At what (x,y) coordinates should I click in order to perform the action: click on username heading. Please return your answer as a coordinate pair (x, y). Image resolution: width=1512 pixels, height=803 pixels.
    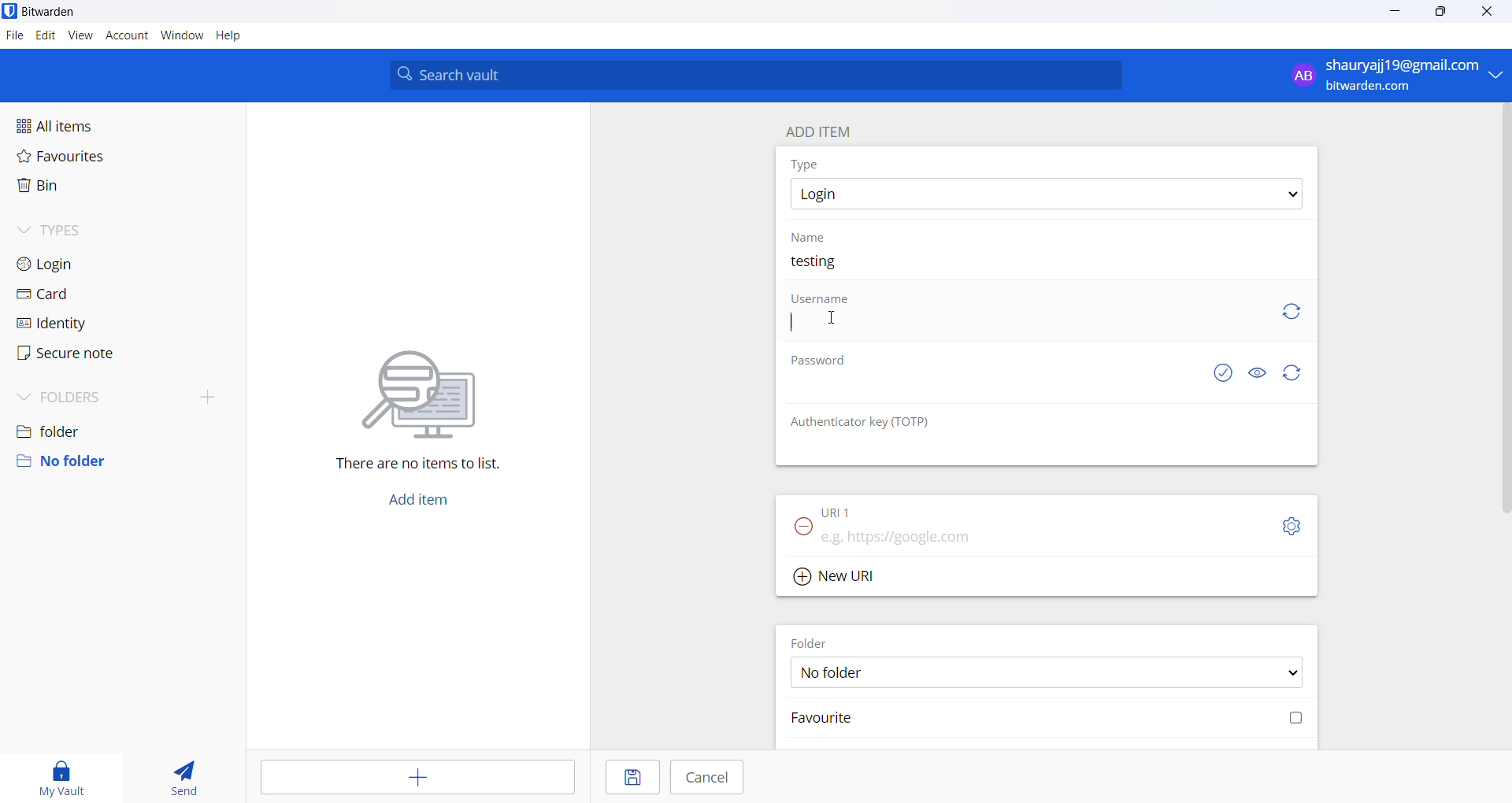
    Looking at the image, I should click on (821, 299).